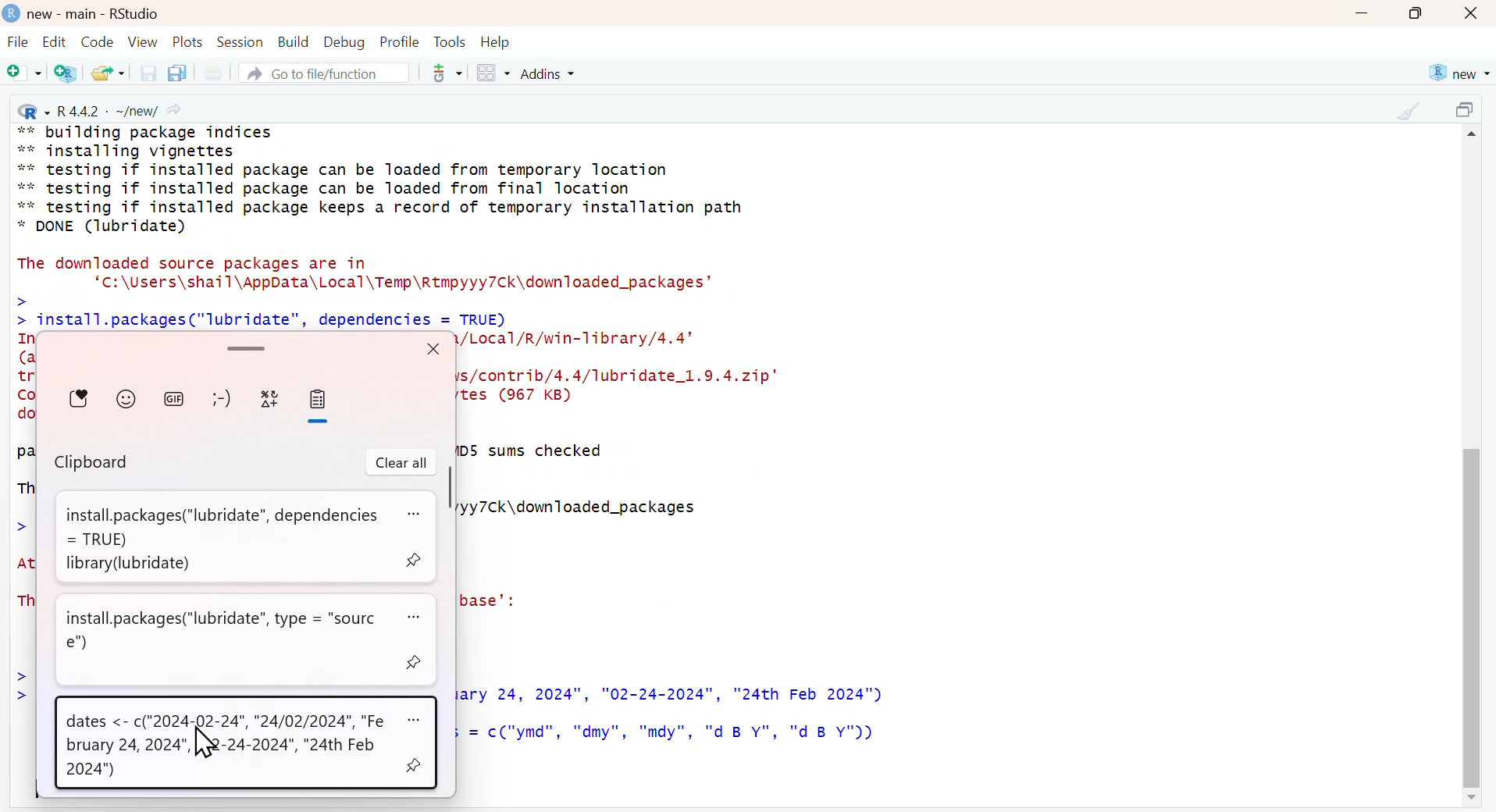 This screenshot has height=812, width=1496. What do you see at coordinates (80, 398) in the screenshot?
I see `favorite` at bounding box center [80, 398].